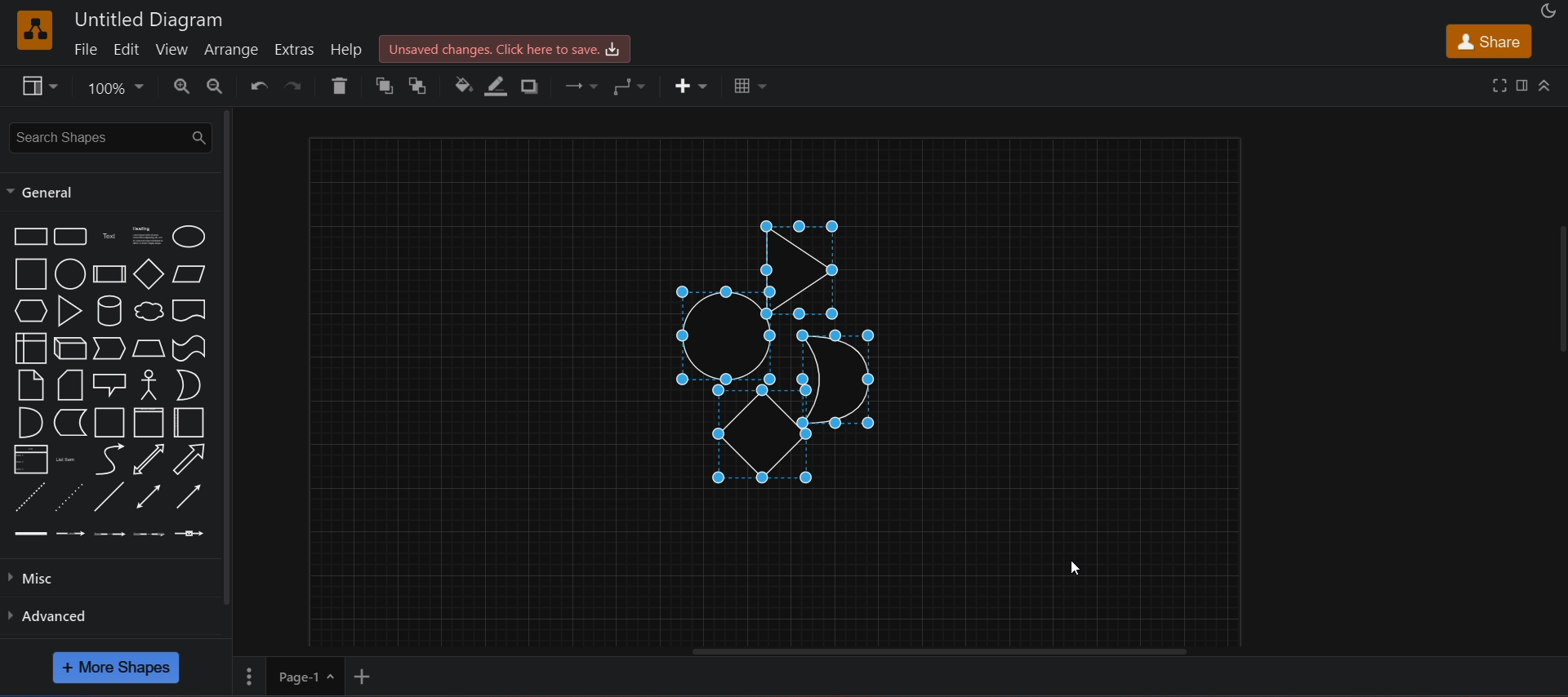  Describe the element at coordinates (149, 385) in the screenshot. I see `actor` at that location.